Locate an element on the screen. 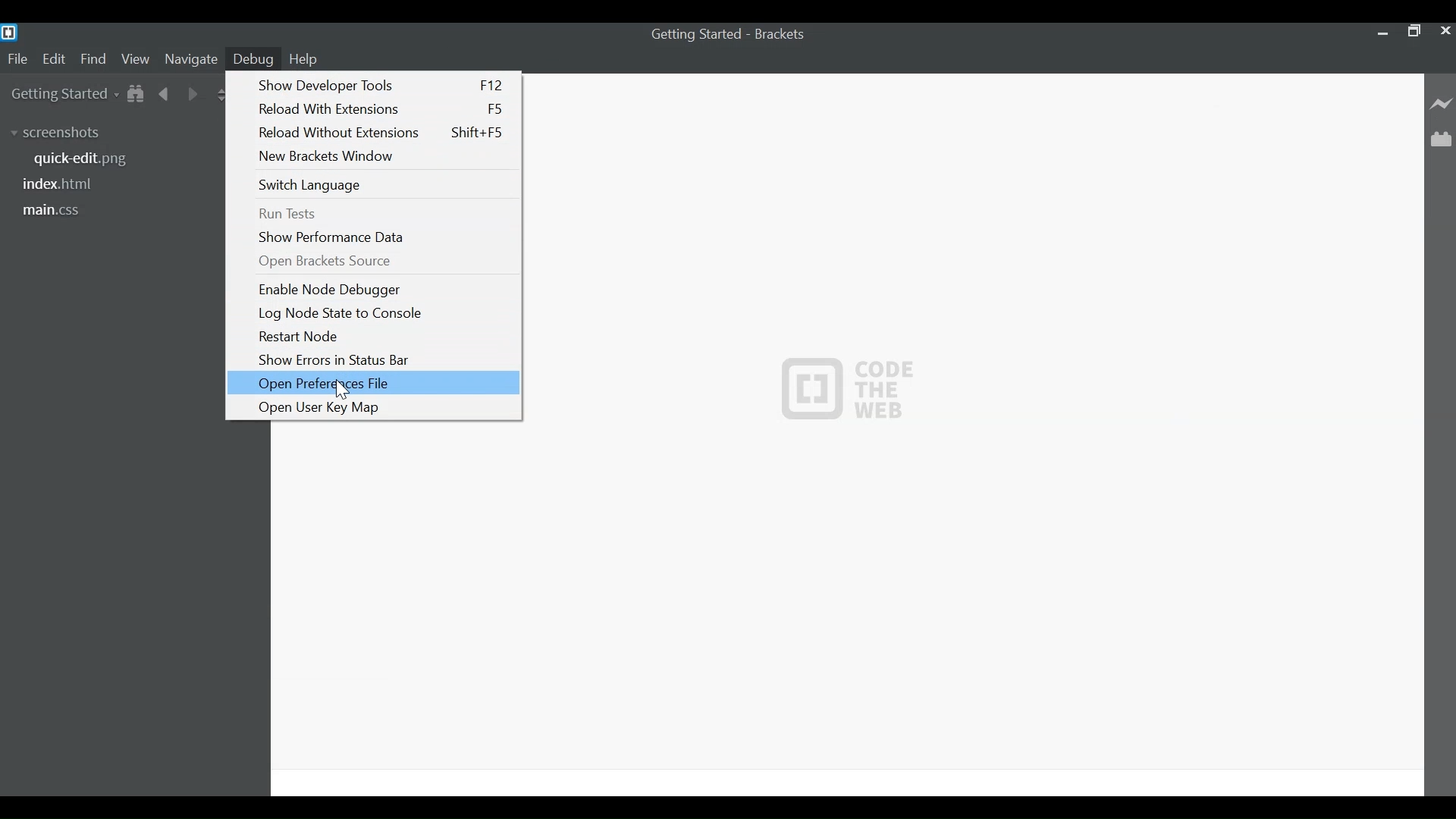 This screenshot has height=819, width=1456. Help is located at coordinates (304, 60).